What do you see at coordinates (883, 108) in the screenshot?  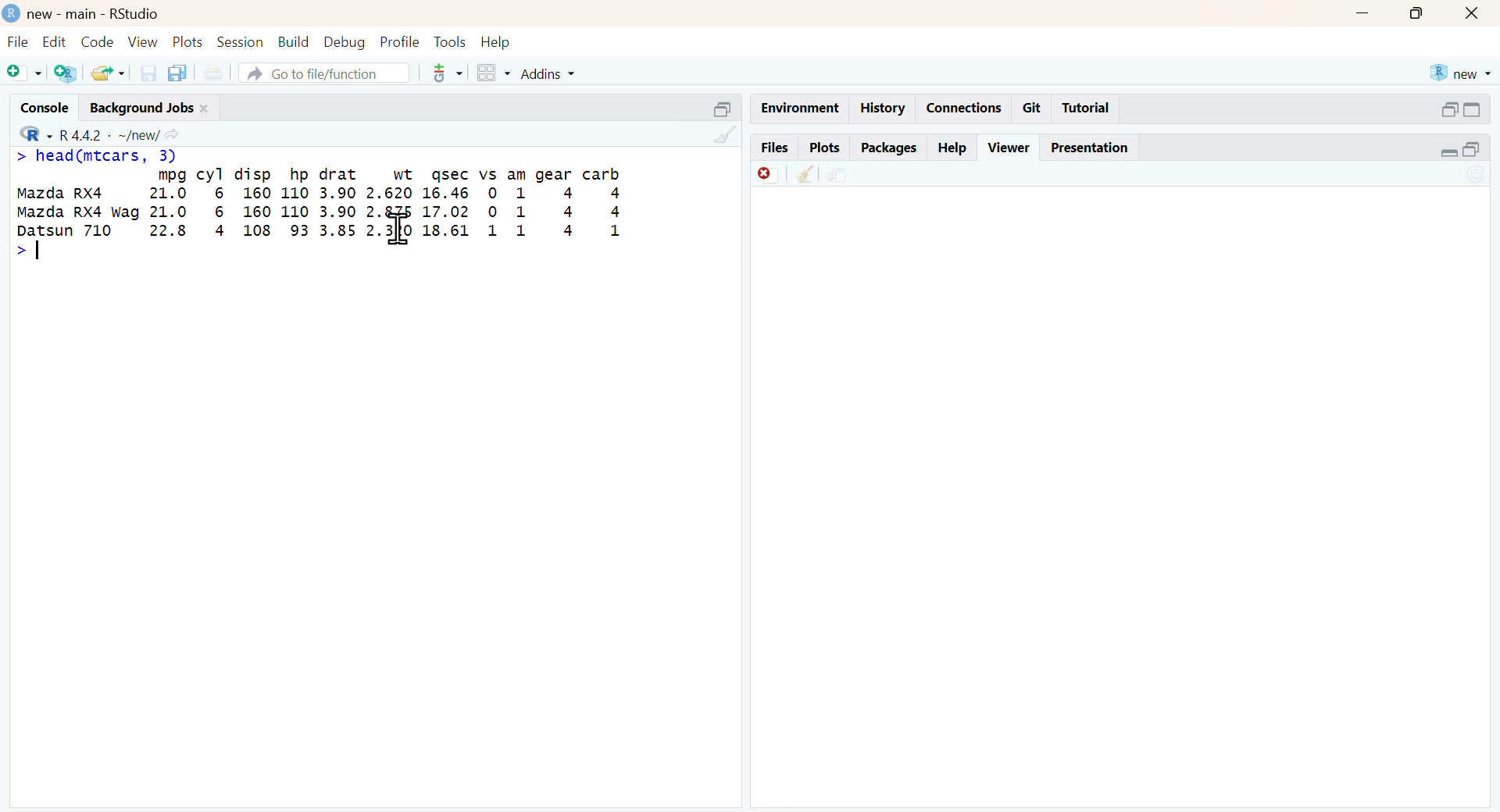 I see `History` at bounding box center [883, 108].